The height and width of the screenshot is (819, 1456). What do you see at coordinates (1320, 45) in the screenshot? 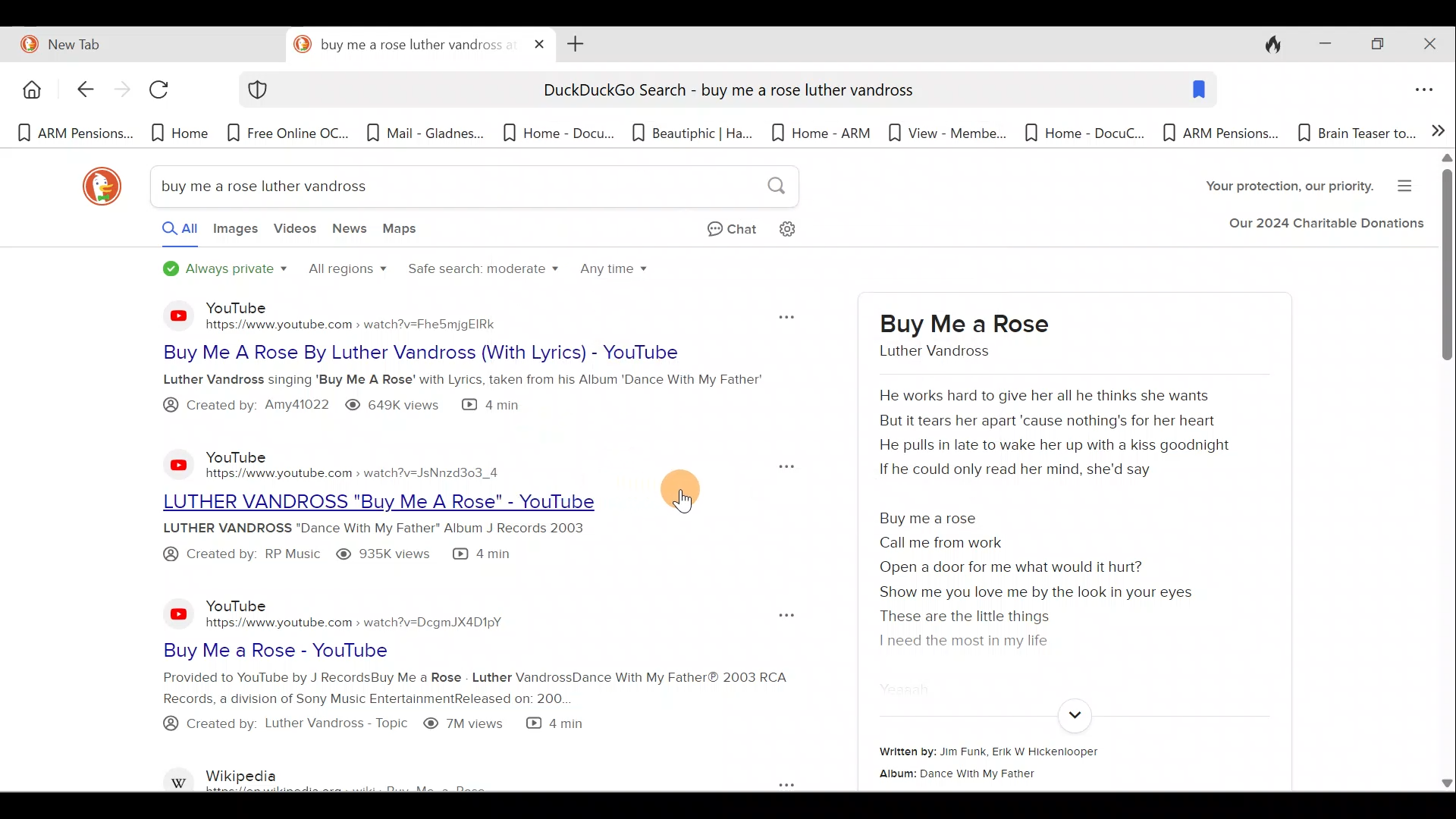
I see `Minimize` at bounding box center [1320, 45].